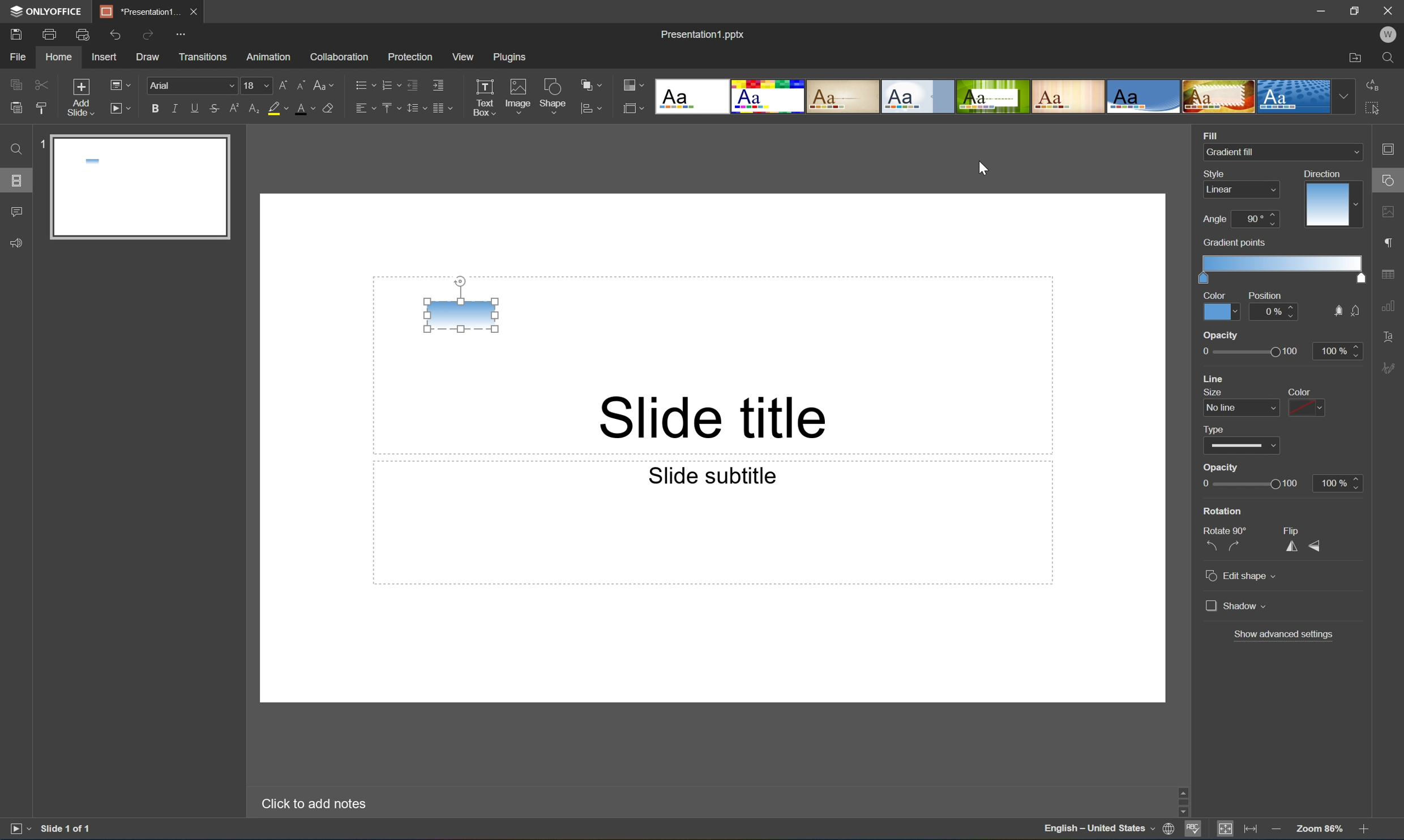 This screenshot has height=840, width=1404. I want to click on Change color theme, so click(633, 86).